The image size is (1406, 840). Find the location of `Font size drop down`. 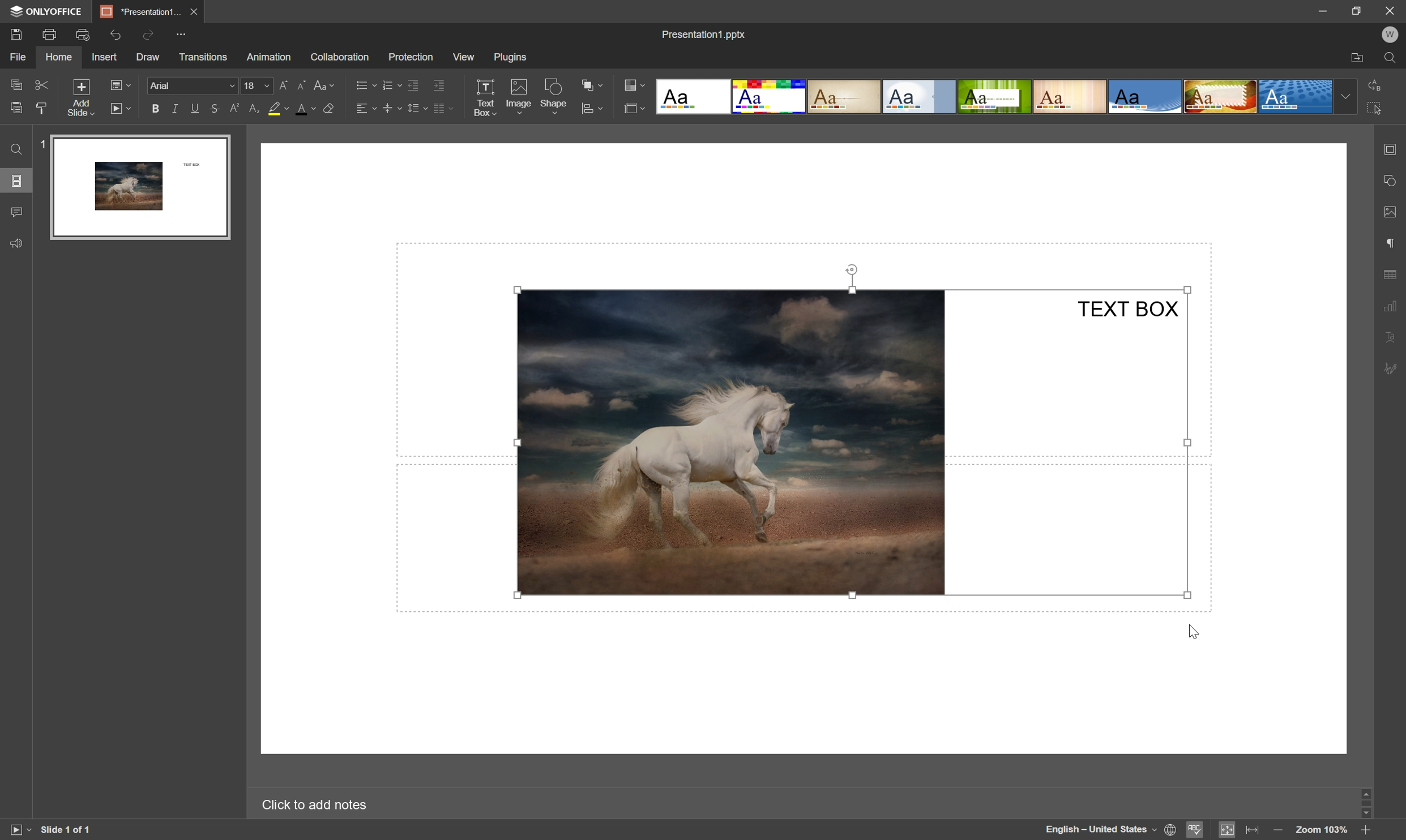

Font size drop down is located at coordinates (256, 84).